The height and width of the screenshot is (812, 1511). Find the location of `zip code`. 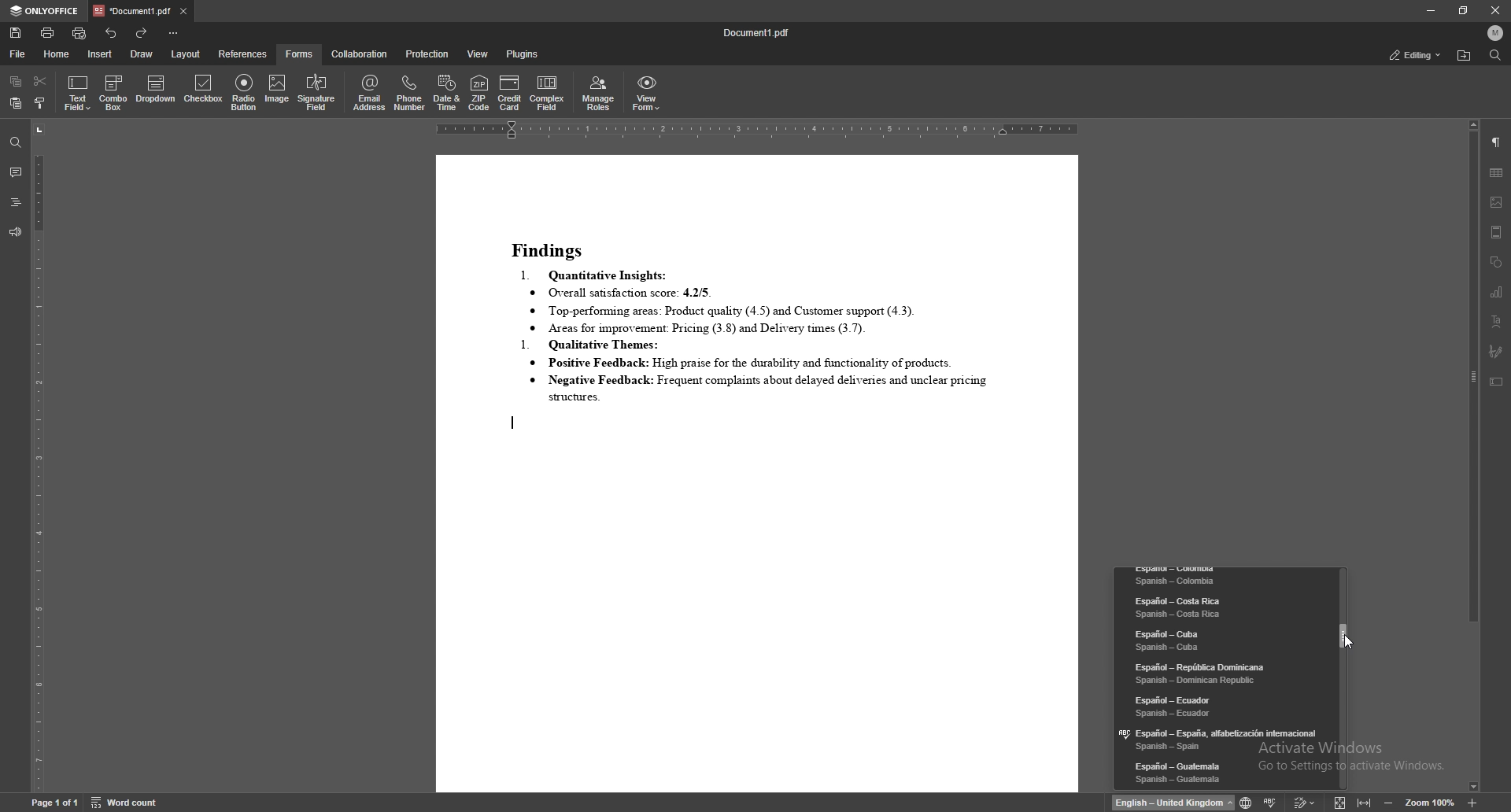

zip code is located at coordinates (480, 92).